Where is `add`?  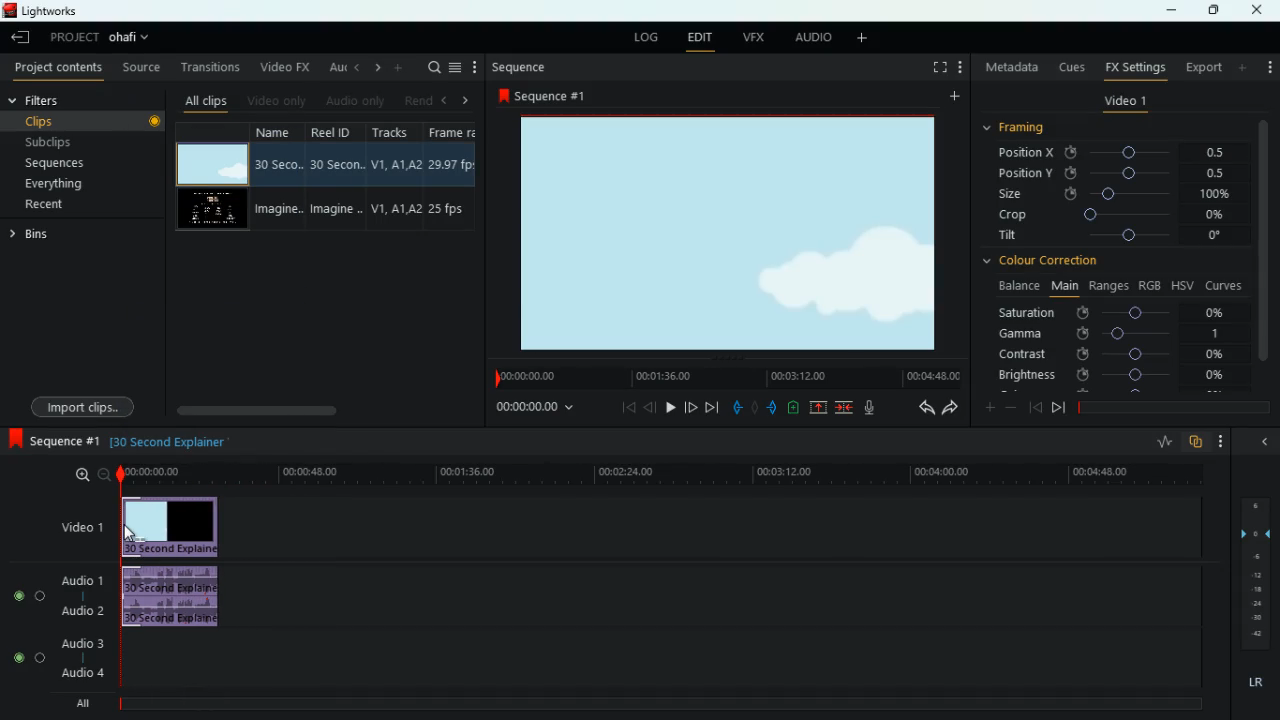
add is located at coordinates (953, 95).